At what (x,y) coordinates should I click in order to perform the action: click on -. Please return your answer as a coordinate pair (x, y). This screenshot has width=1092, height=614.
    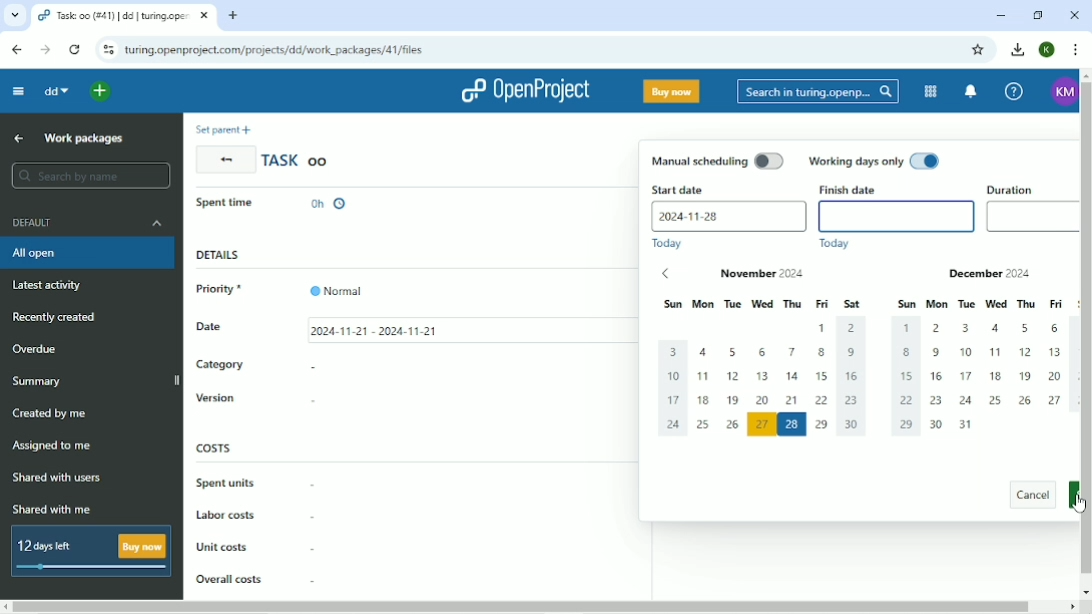
    Looking at the image, I should click on (318, 403).